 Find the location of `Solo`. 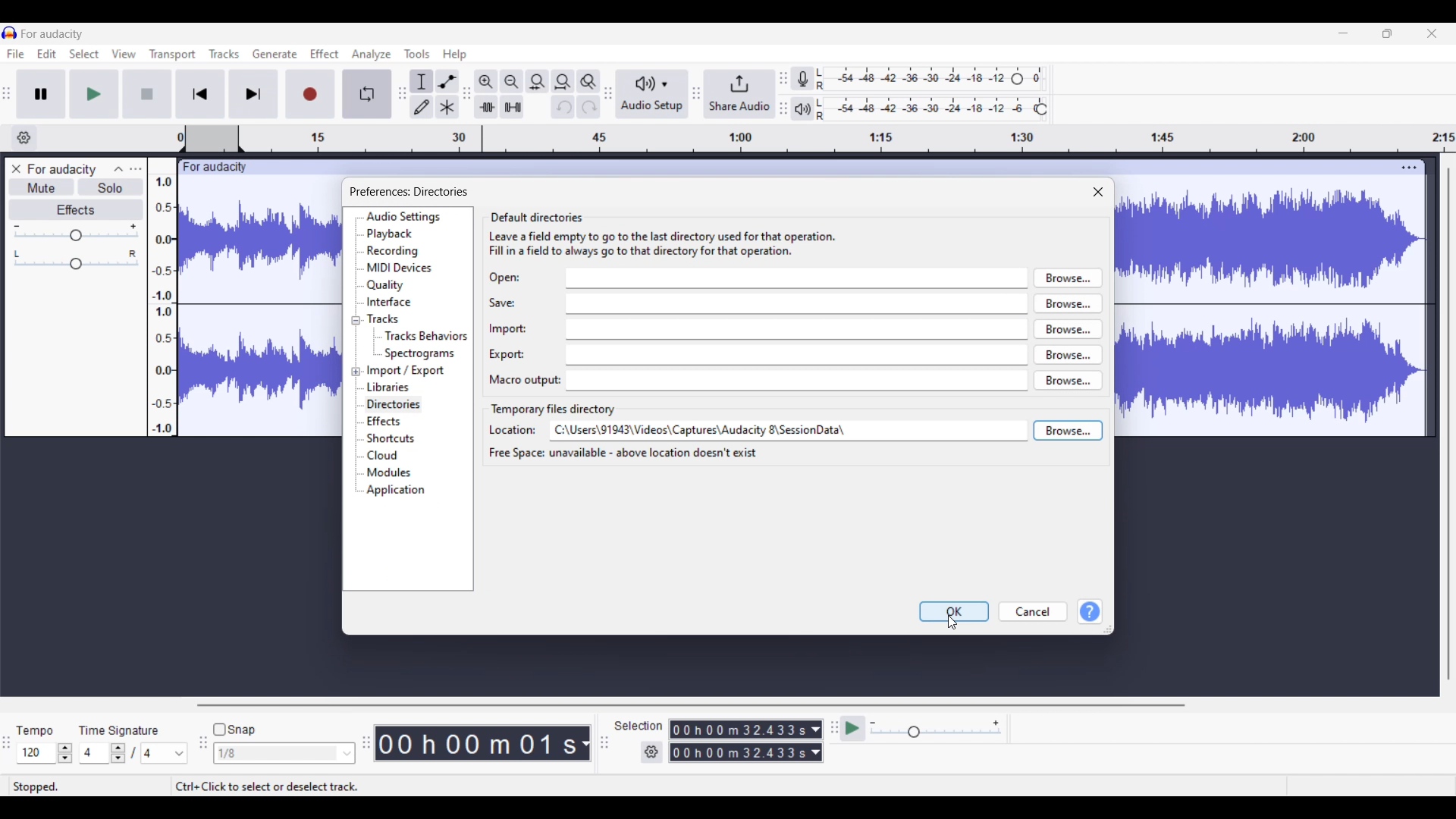

Solo is located at coordinates (110, 187).